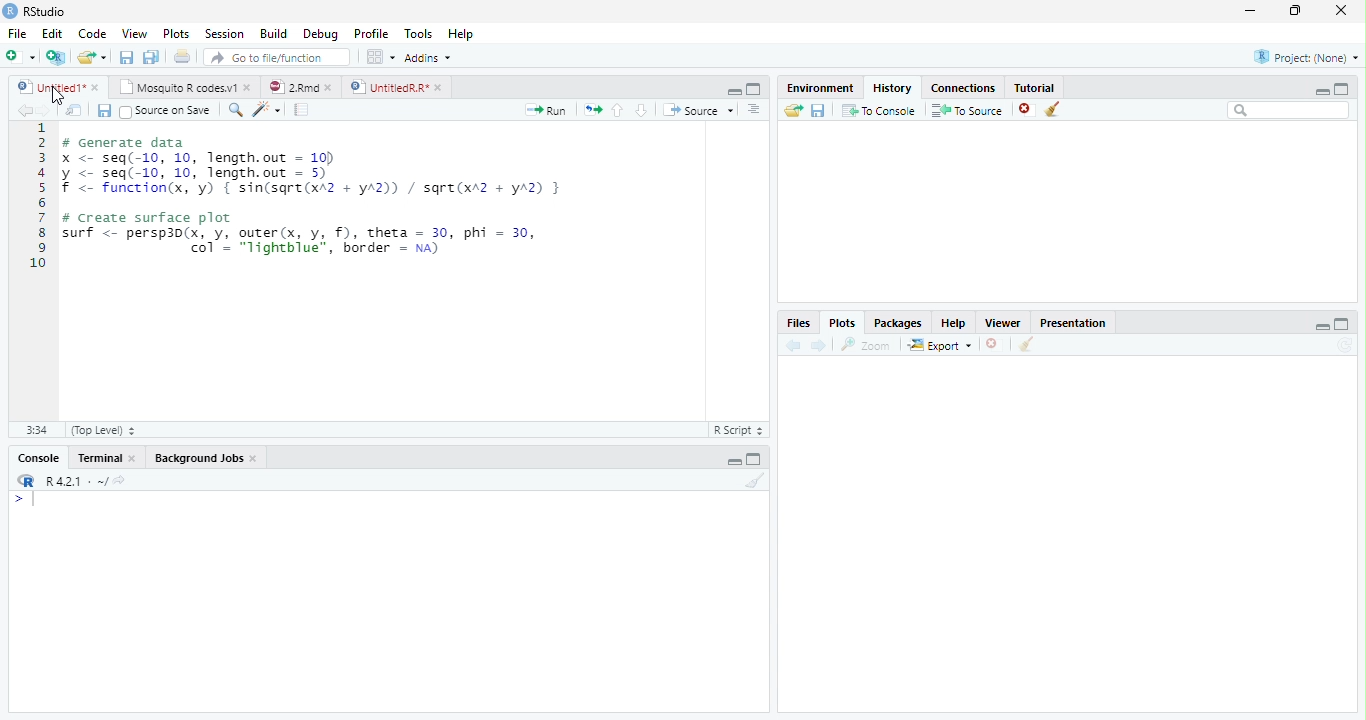 The height and width of the screenshot is (720, 1366). Describe the element at coordinates (45, 111) in the screenshot. I see `Go forward to next source location` at that location.